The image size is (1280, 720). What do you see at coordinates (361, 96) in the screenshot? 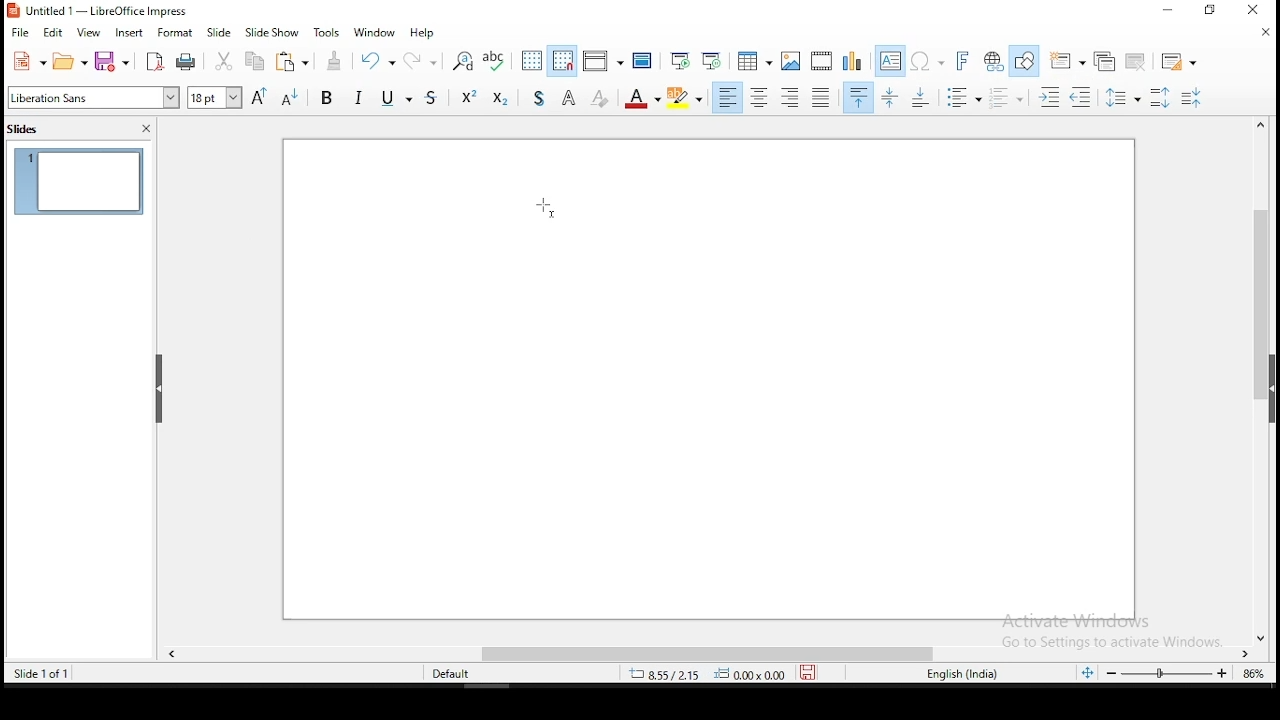
I see `italics` at bounding box center [361, 96].